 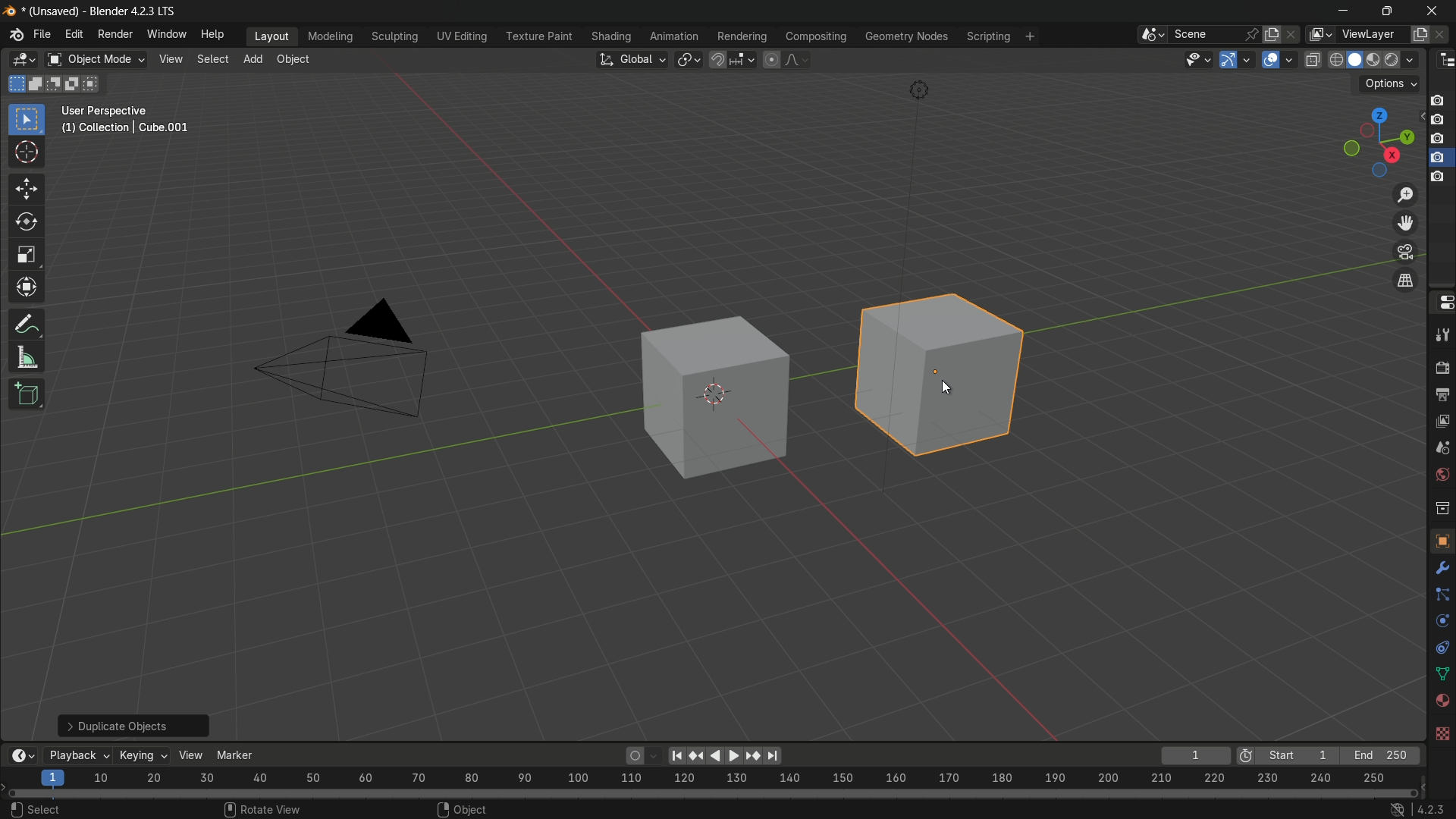 I want to click on Select, so click(x=33, y=808).